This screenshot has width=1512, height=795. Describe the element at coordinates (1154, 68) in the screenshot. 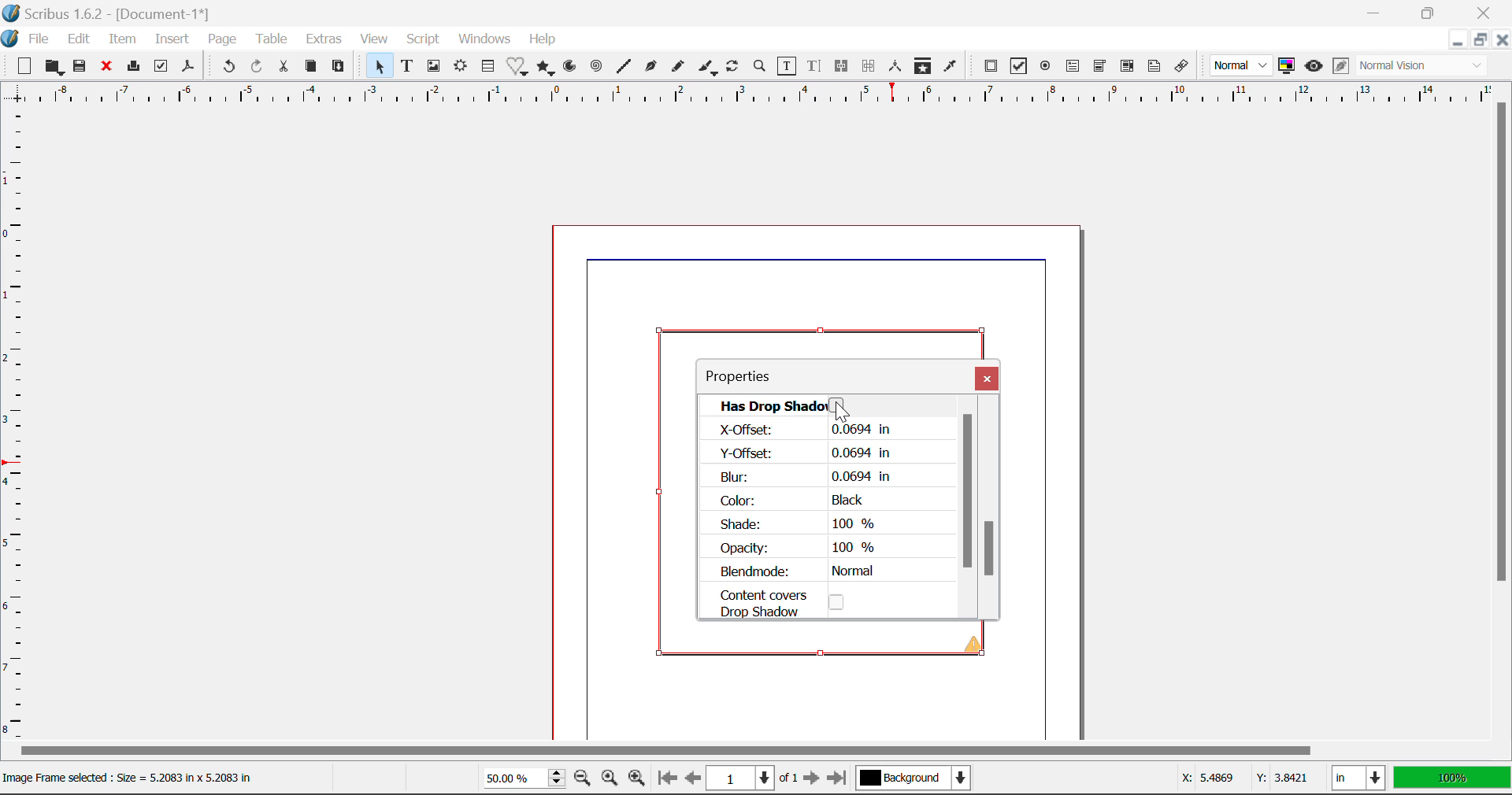

I see `Text Annotation` at that location.